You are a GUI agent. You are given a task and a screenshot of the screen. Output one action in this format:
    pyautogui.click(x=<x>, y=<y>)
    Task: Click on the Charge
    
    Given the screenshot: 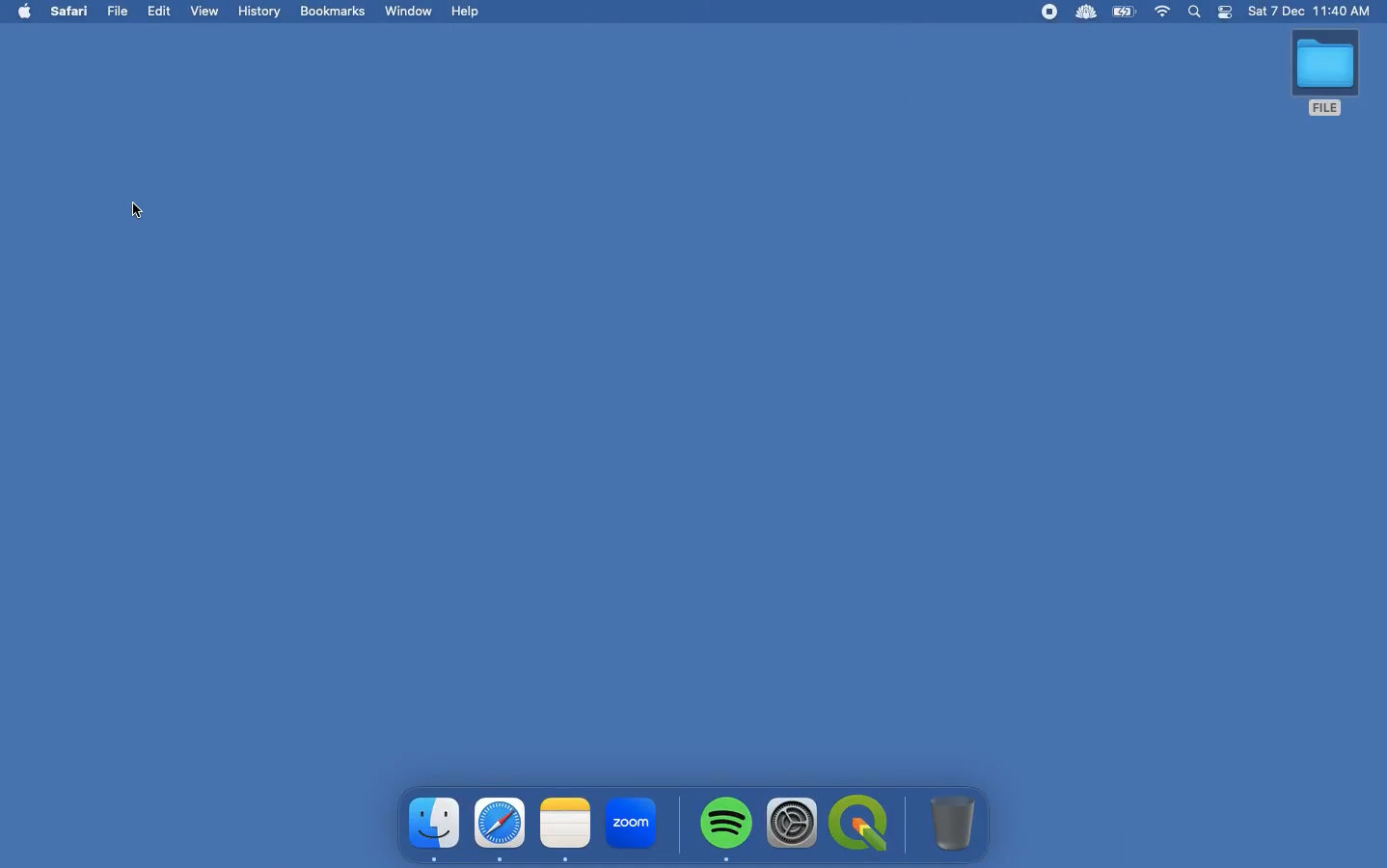 What is the action you would take?
    pyautogui.click(x=1127, y=13)
    